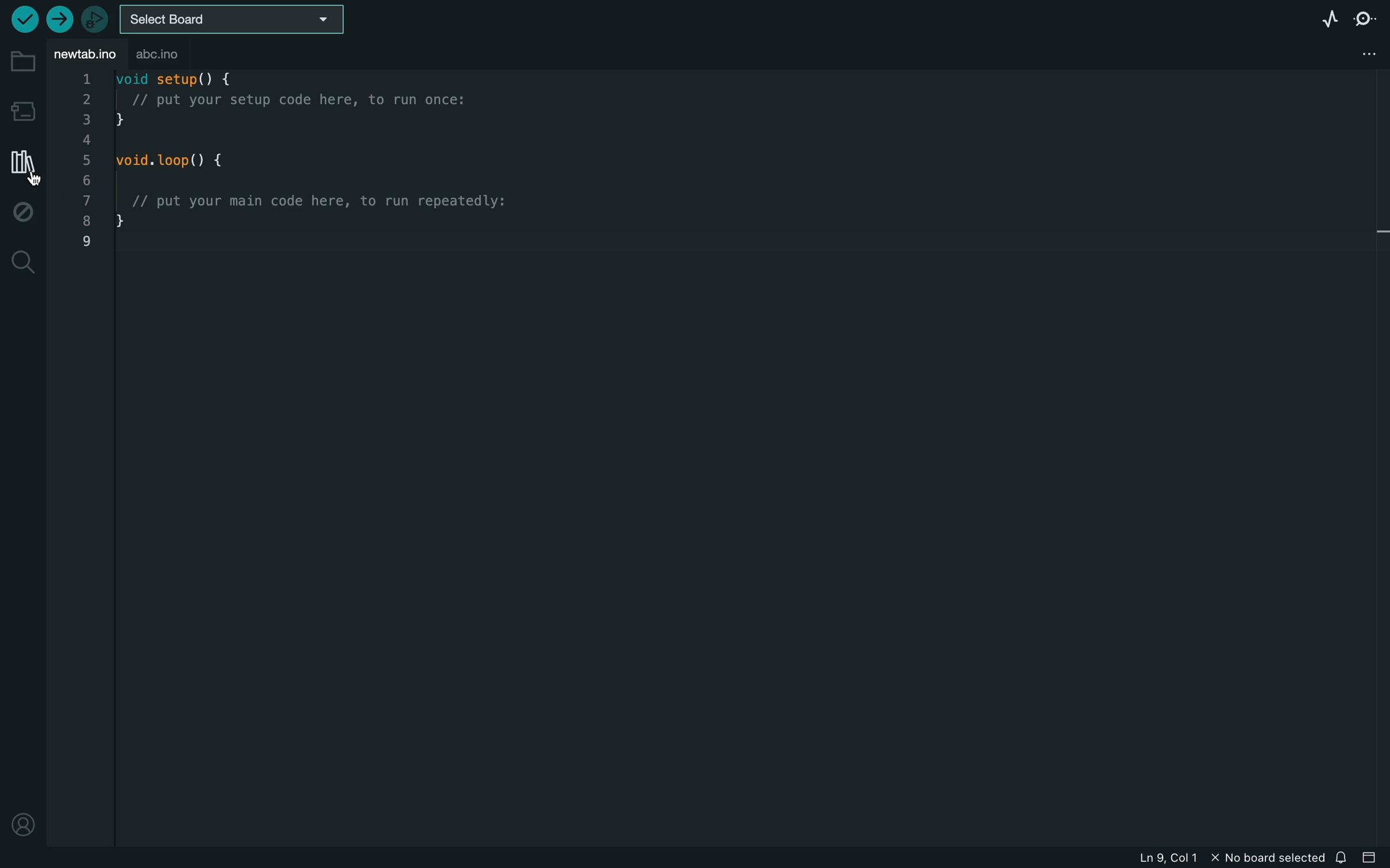 The height and width of the screenshot is (868, 1390). Describe the element at coordinates (169, 55) in the screenshot. I see `abc` at that location.